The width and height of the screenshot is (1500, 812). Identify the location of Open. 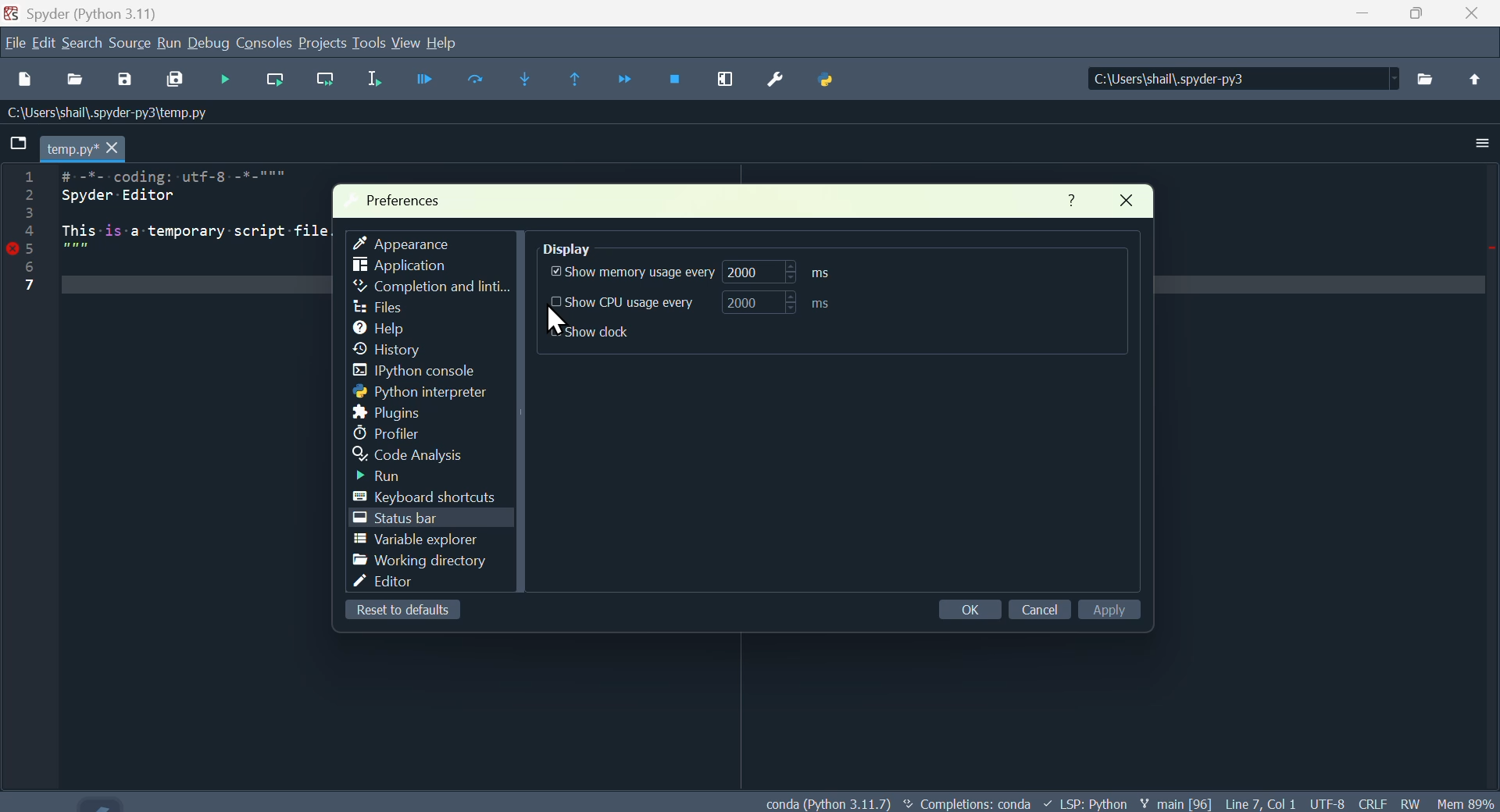
(77, 79).